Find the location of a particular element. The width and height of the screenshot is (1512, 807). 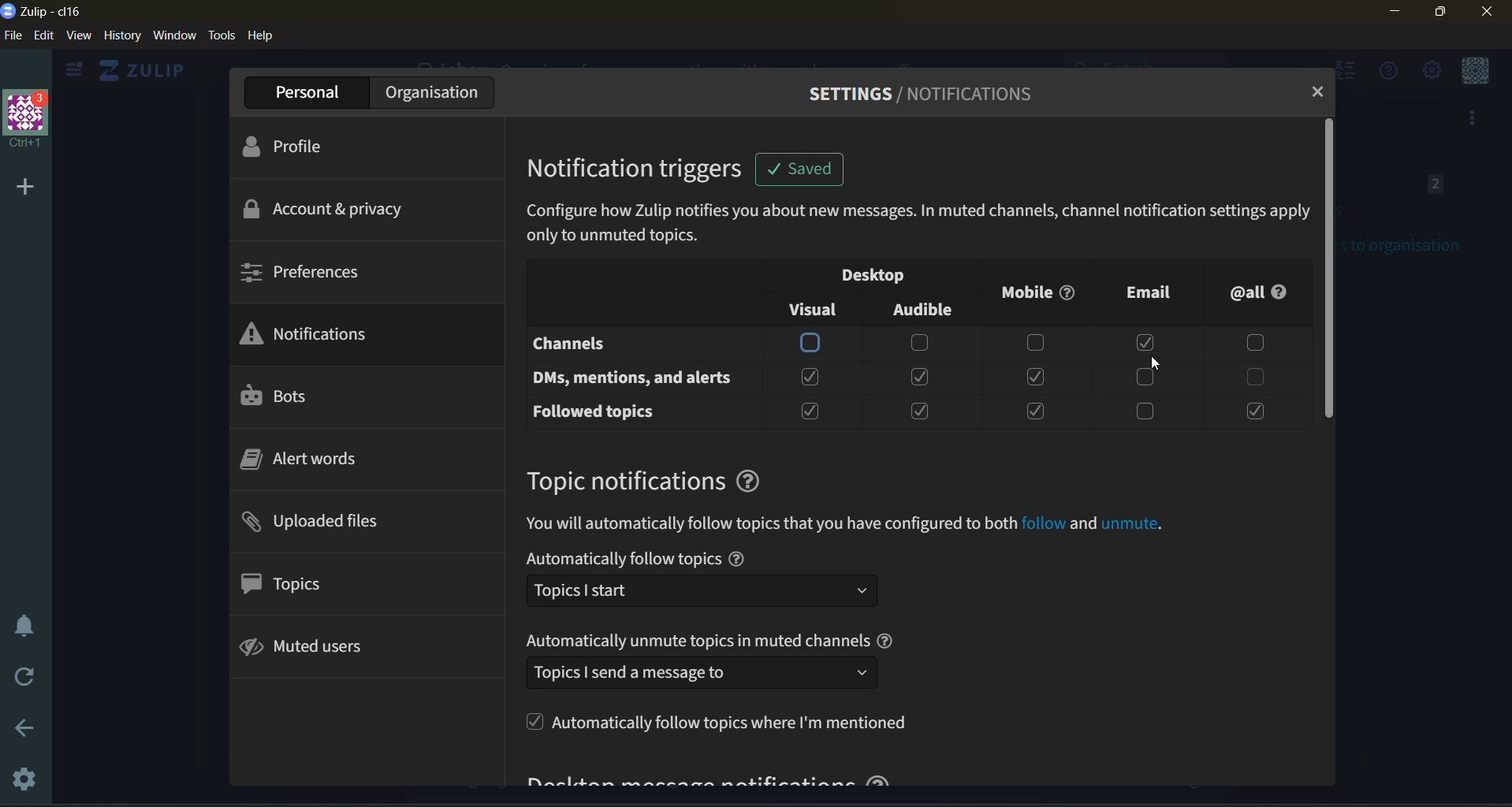

topics is located at coordinates (303, 585).